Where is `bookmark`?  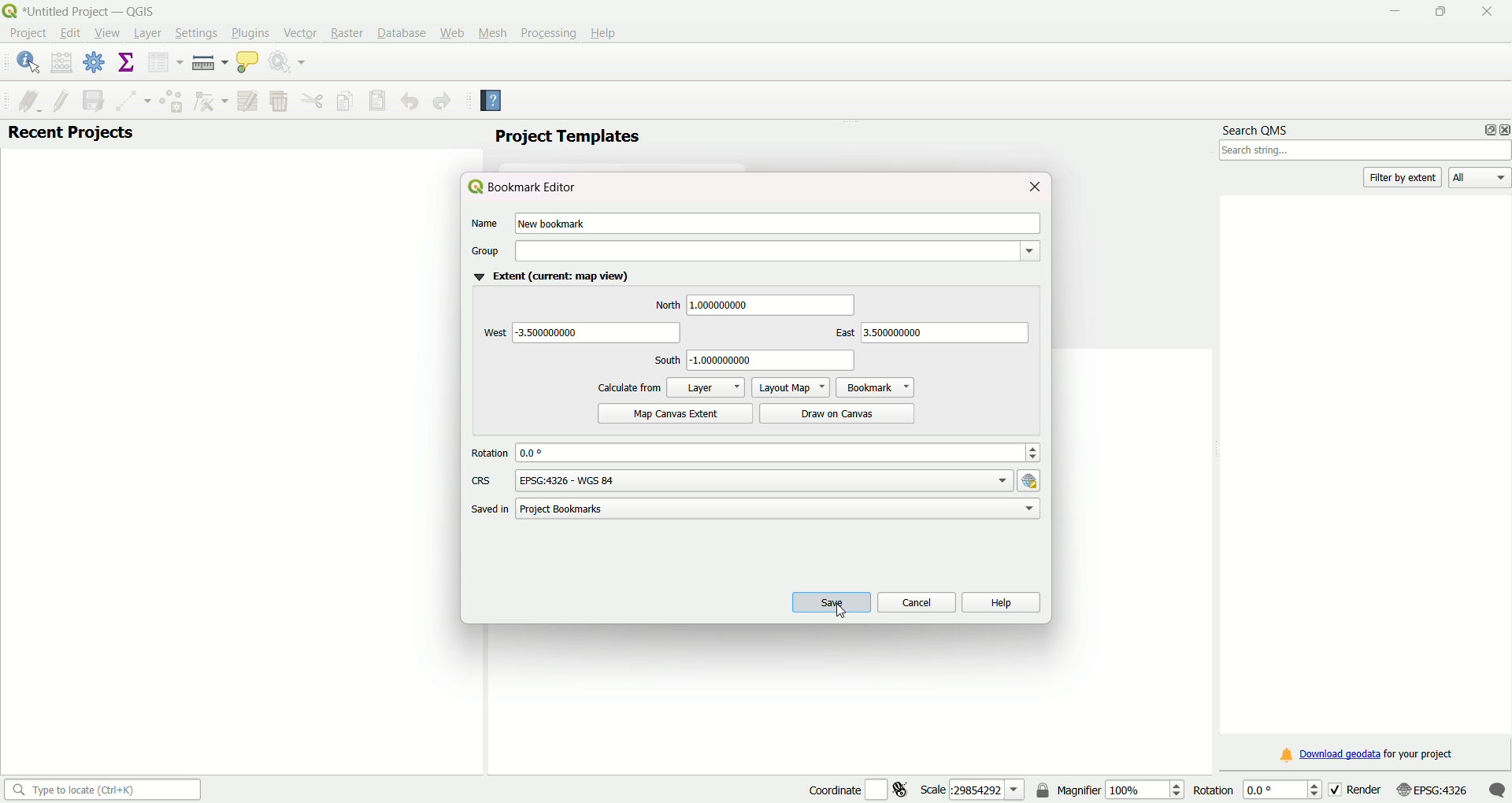 bookmark is located at coordinates (875, 387).